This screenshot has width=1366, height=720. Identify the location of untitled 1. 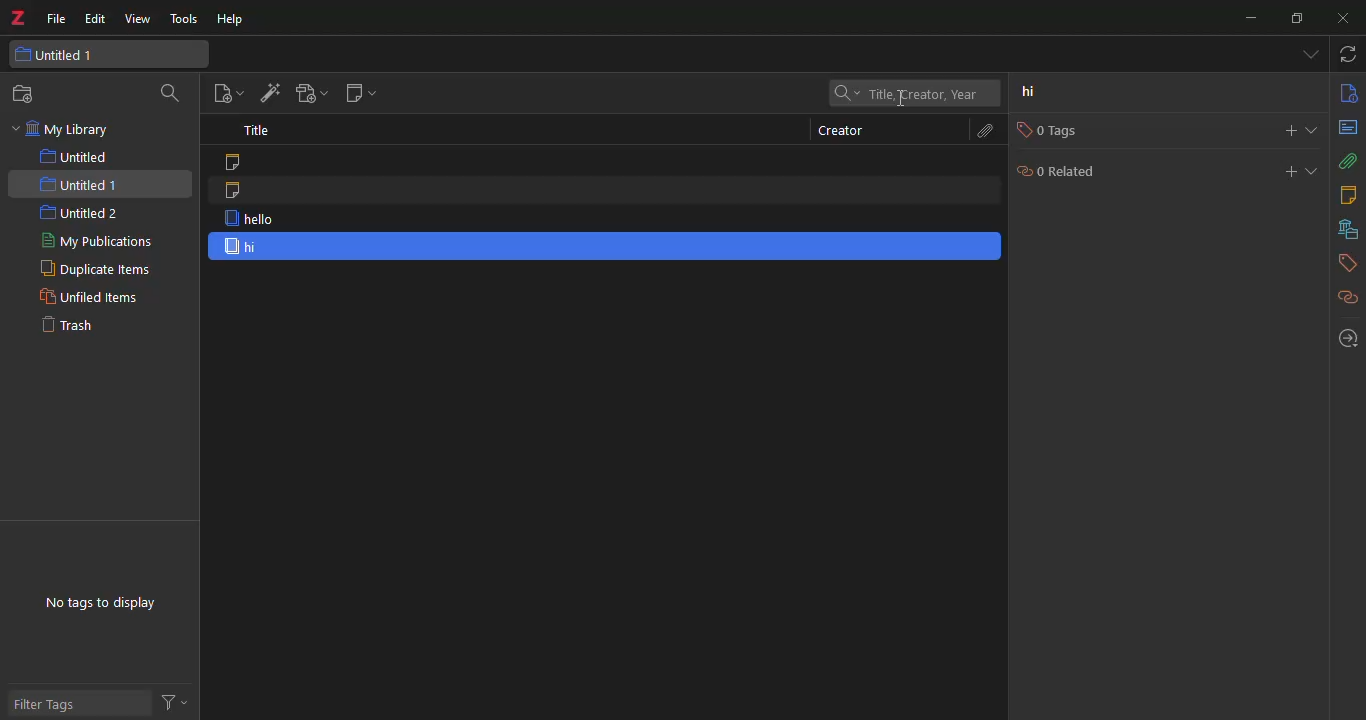
(57, 54).